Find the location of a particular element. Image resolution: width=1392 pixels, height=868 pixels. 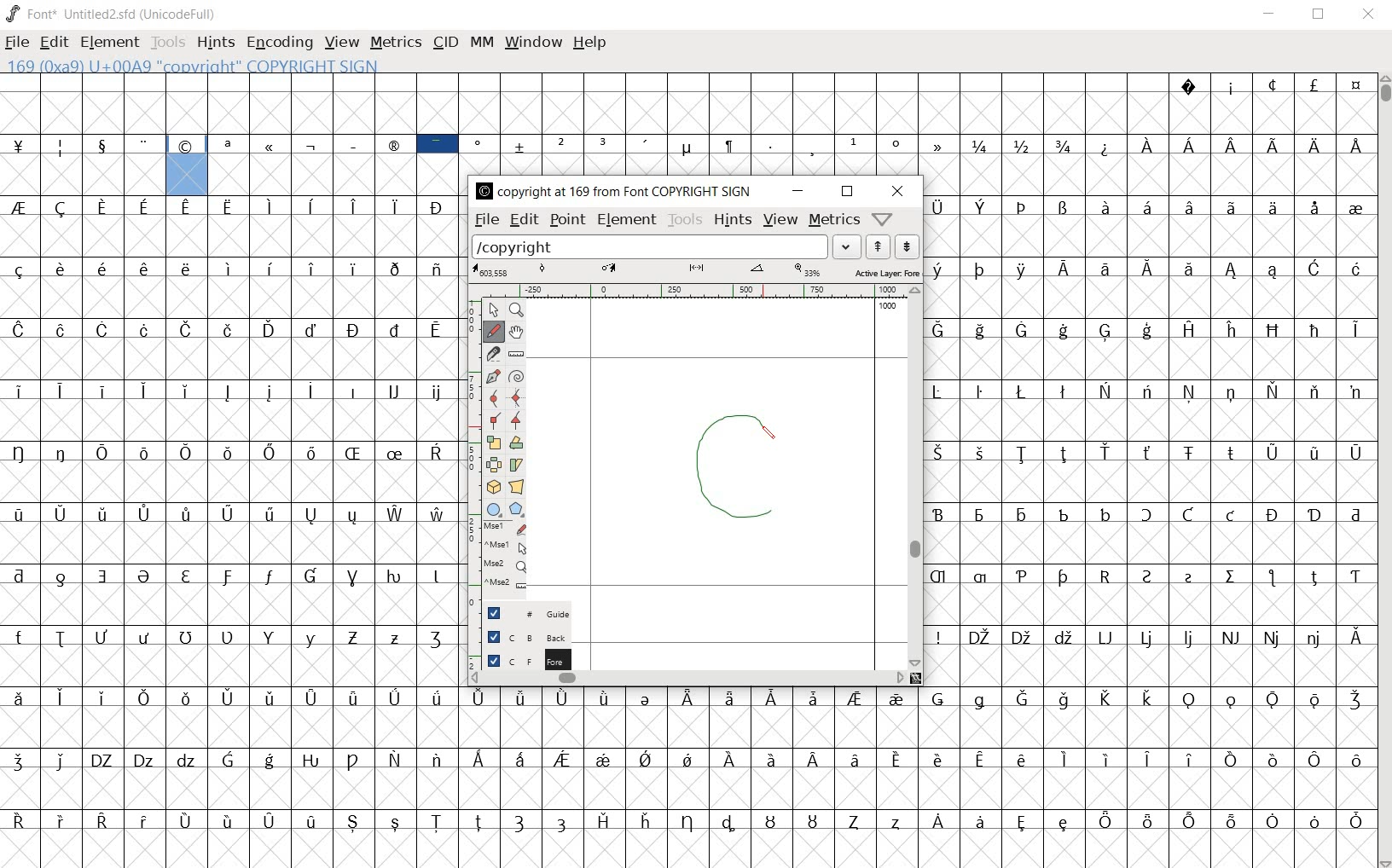

scrollbar is located at coordinates (915, 478).